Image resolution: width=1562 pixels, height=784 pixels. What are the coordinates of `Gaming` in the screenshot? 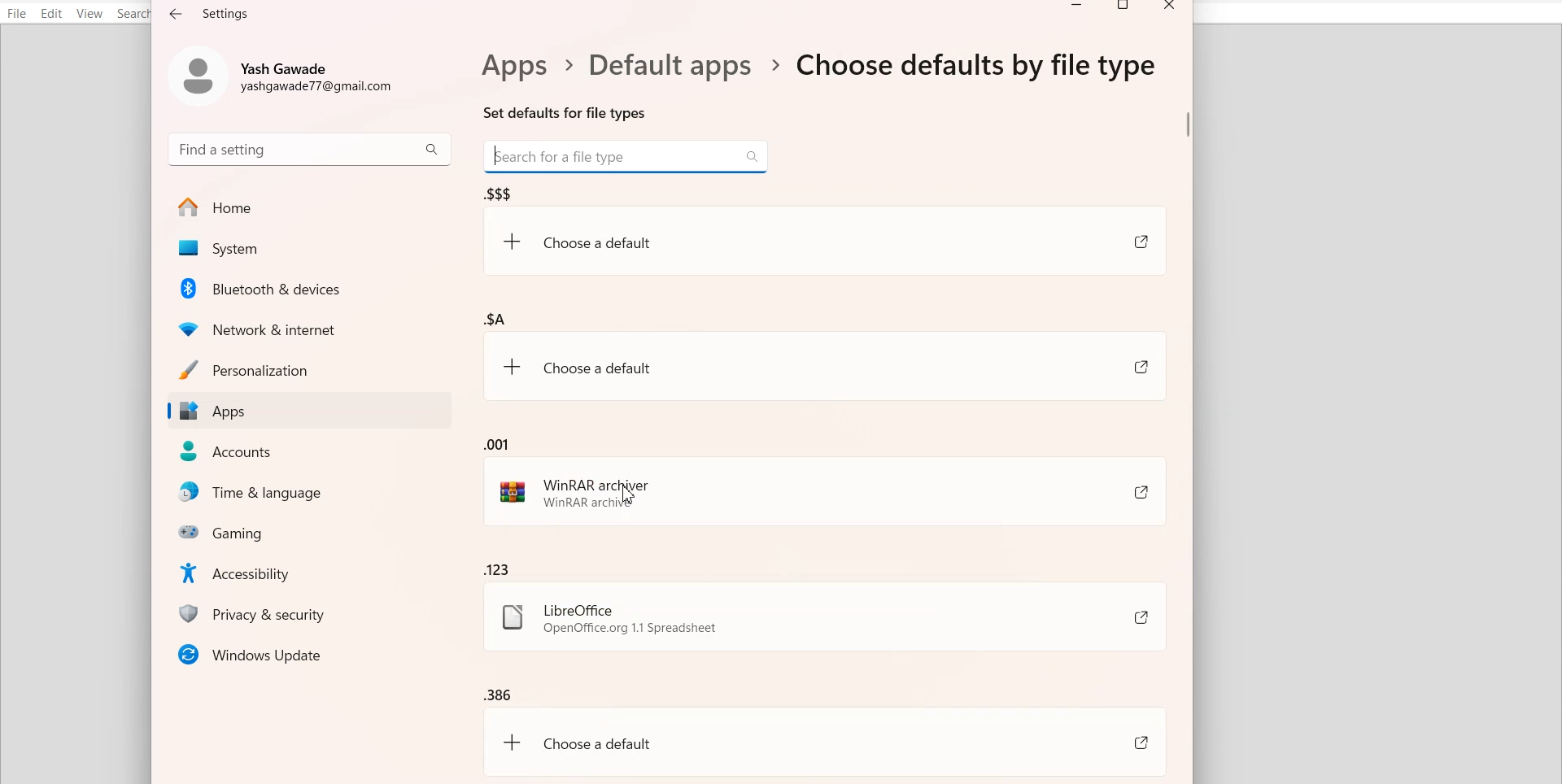 It's located at (314, 531).